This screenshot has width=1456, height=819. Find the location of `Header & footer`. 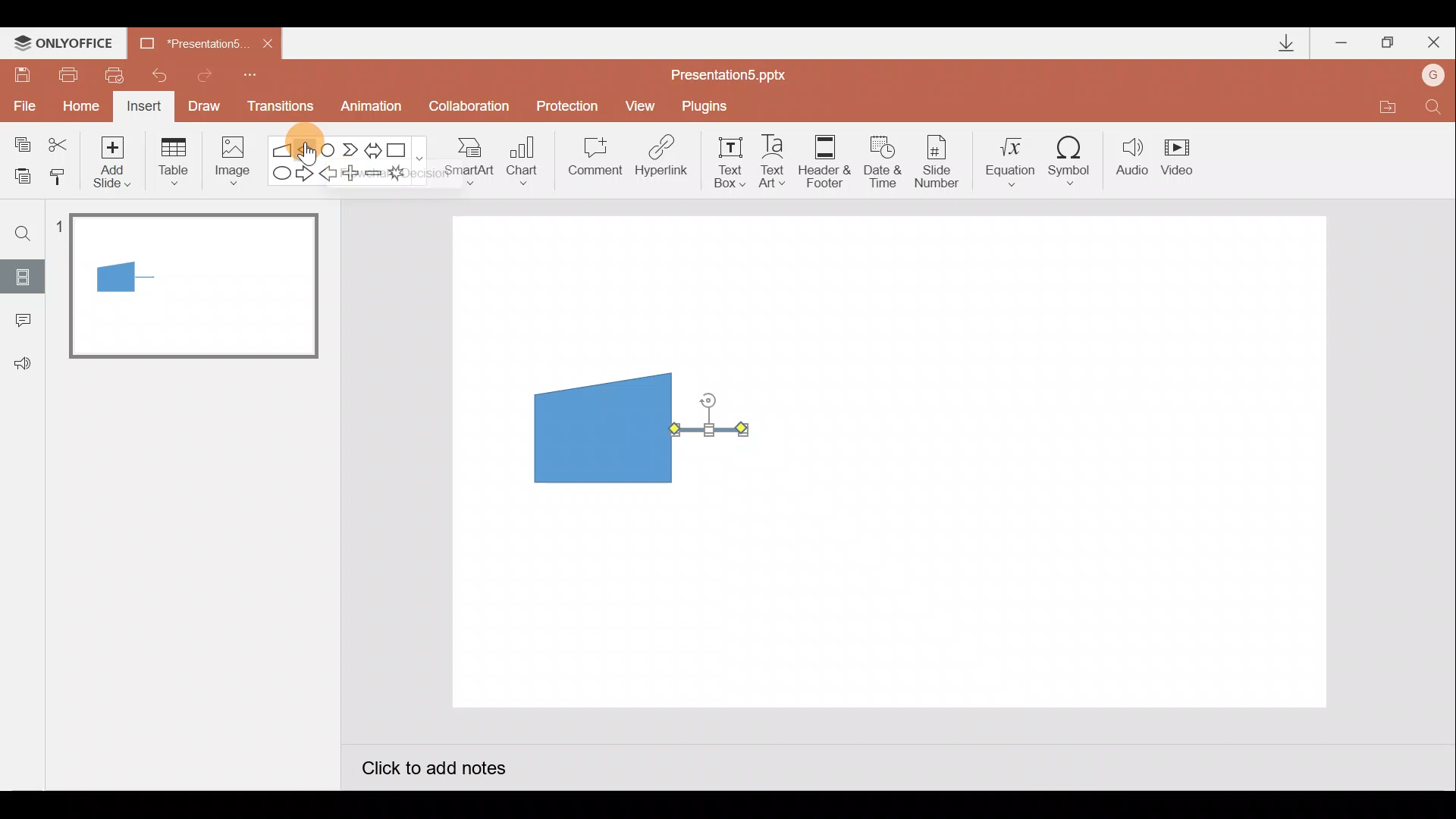

Header & footer is located at coordinates (824, 160).